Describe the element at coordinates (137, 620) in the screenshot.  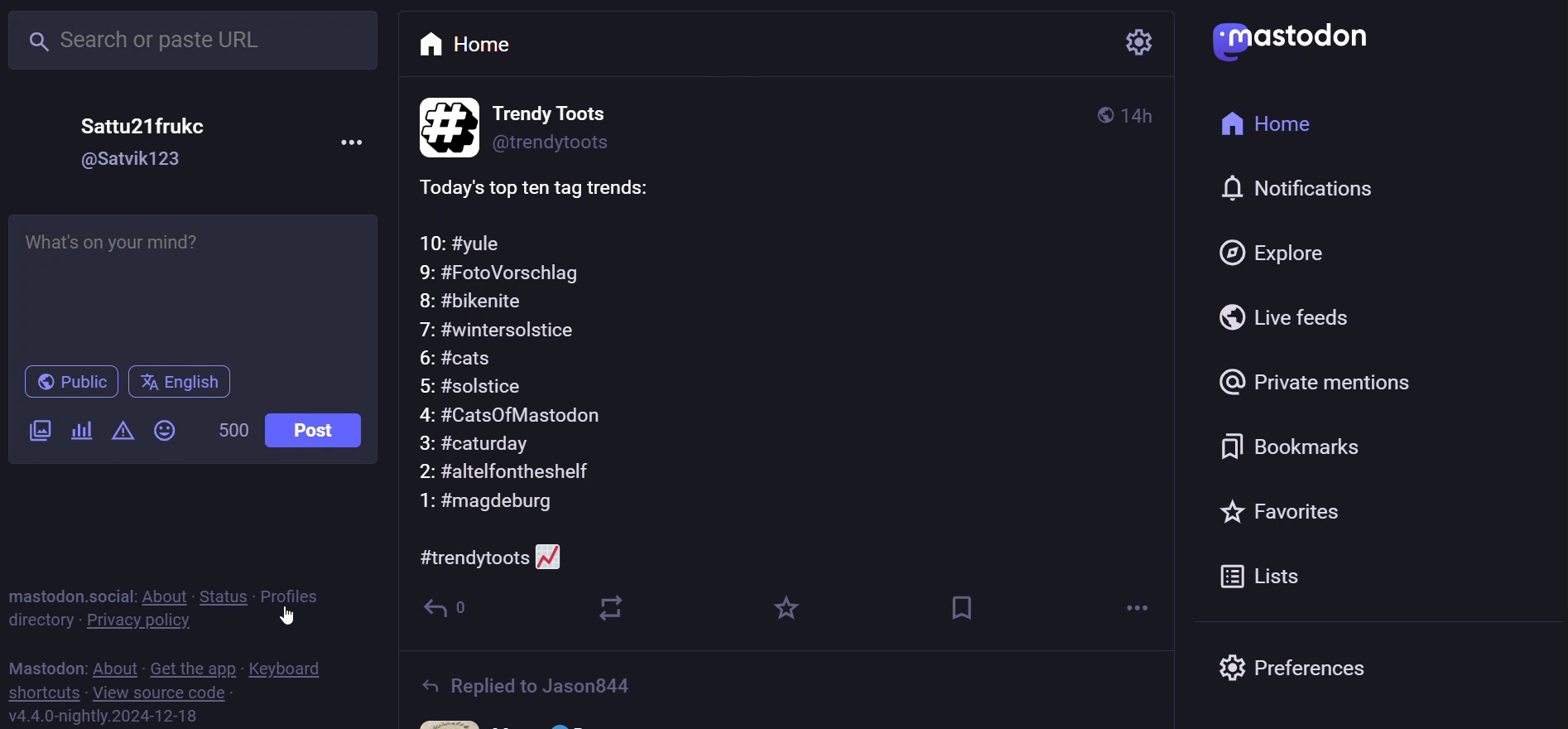
I see `privacy policy` at that location.